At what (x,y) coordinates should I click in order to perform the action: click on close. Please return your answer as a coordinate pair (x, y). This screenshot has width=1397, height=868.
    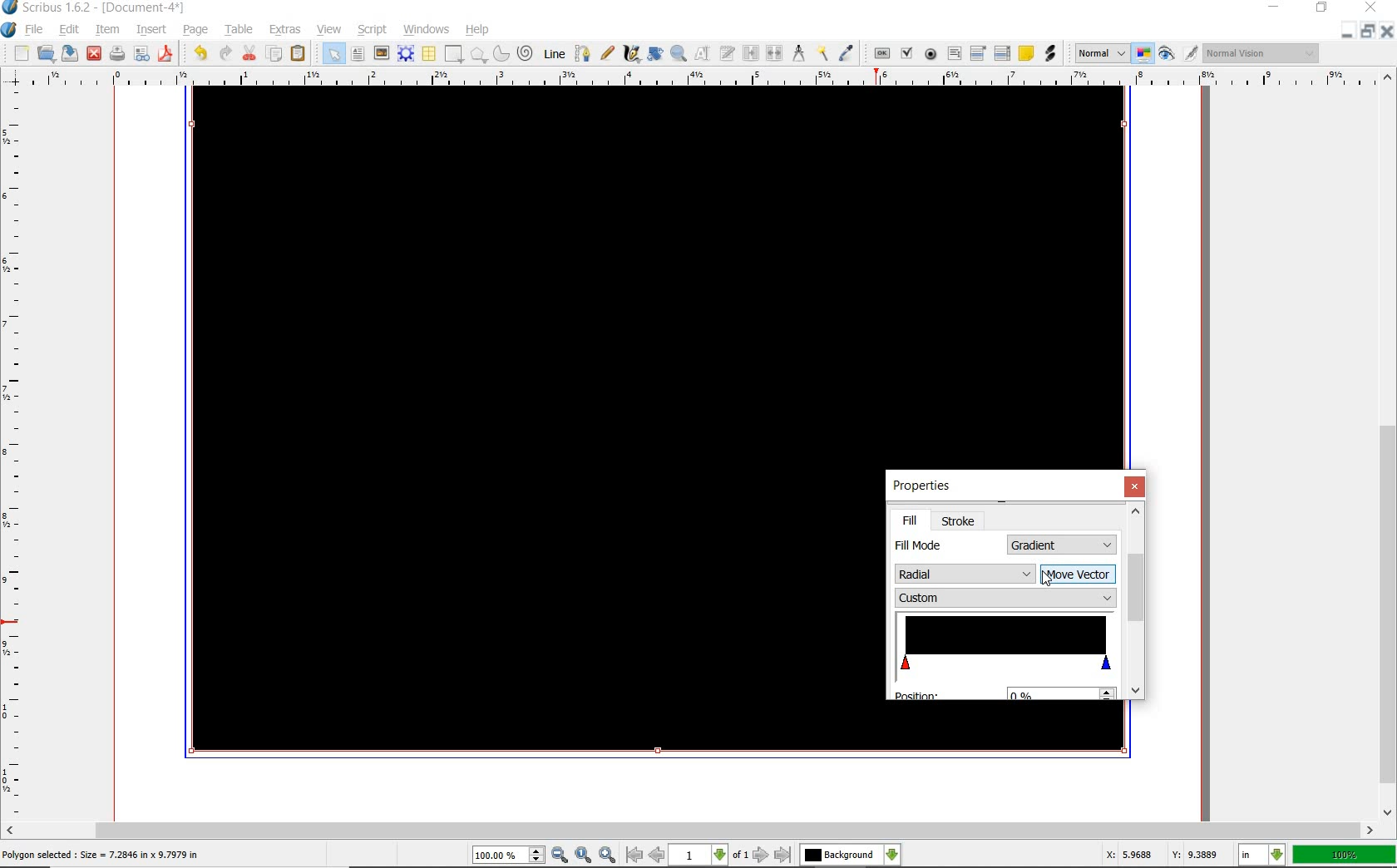
    Looking at the image, I should click on (94, 54).